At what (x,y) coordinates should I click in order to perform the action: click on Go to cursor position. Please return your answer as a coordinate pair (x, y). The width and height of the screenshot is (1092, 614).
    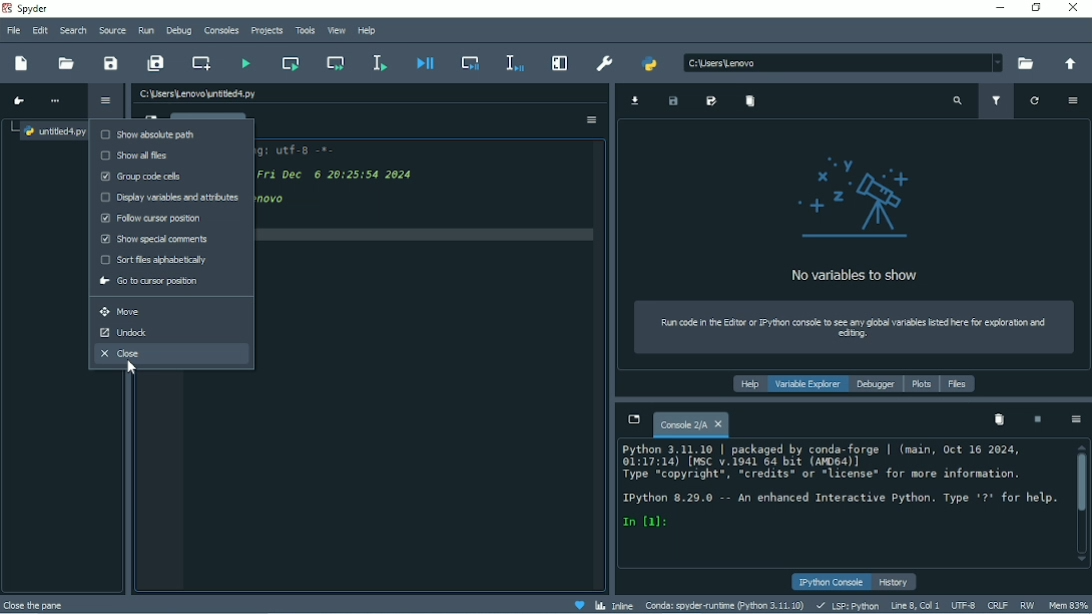
    Looking at the image, I should click on (154, 284).